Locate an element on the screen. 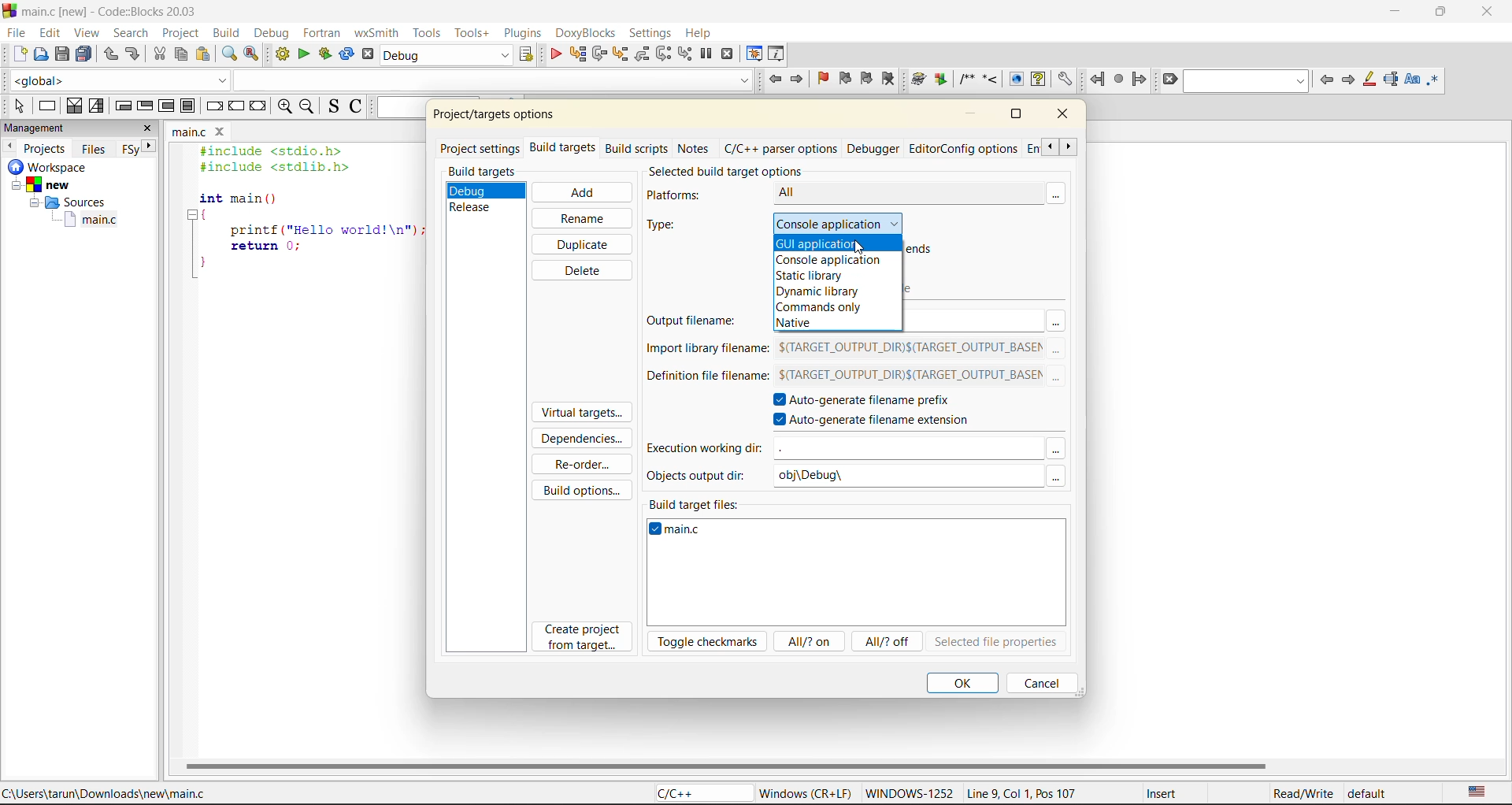 Image resolution: width=1512 pixels, height=805 pixels. last jump is located at coordinates (1117, 80).